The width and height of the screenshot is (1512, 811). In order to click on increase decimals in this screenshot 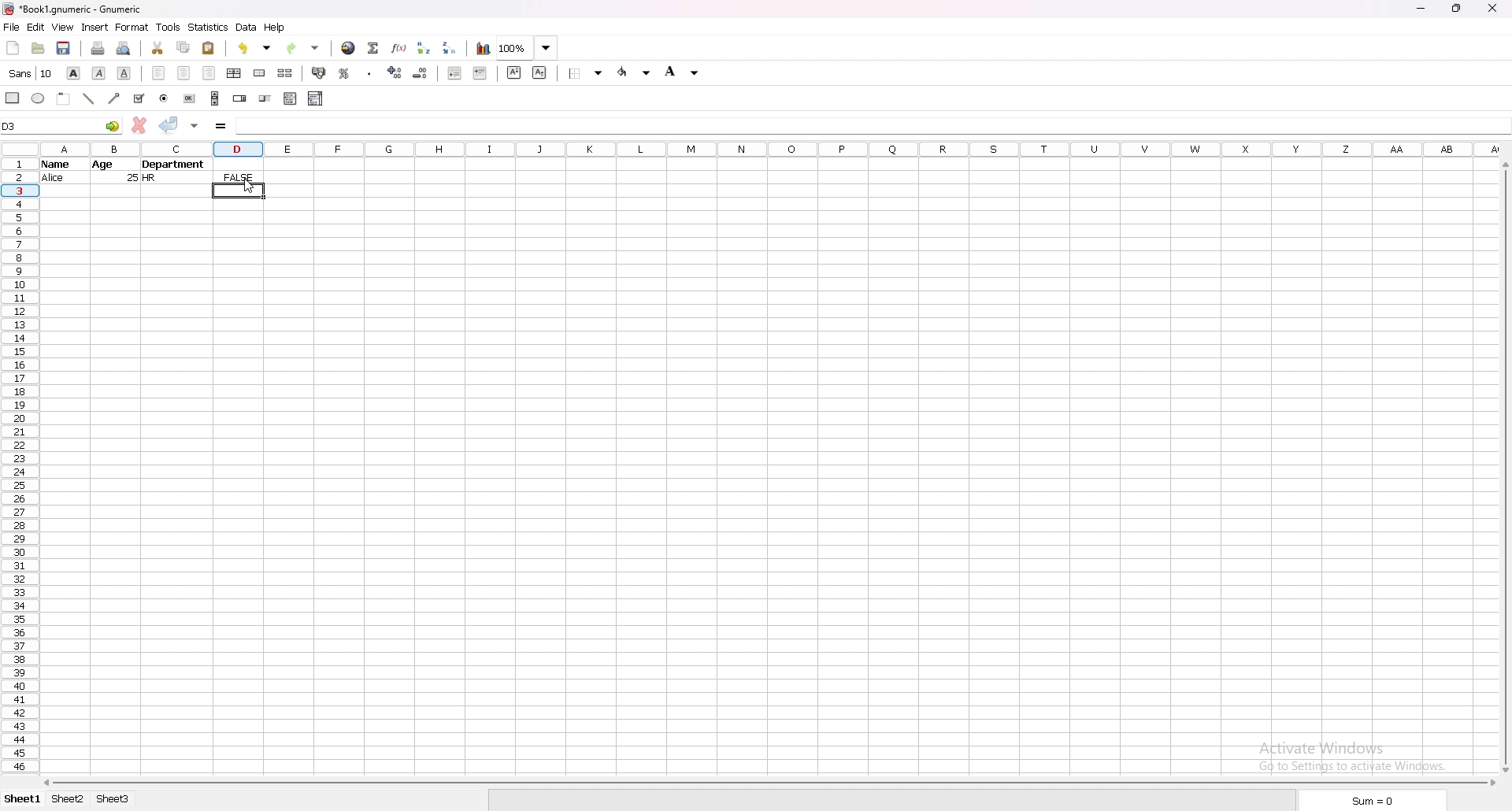, I will do `click(396, 72)`.